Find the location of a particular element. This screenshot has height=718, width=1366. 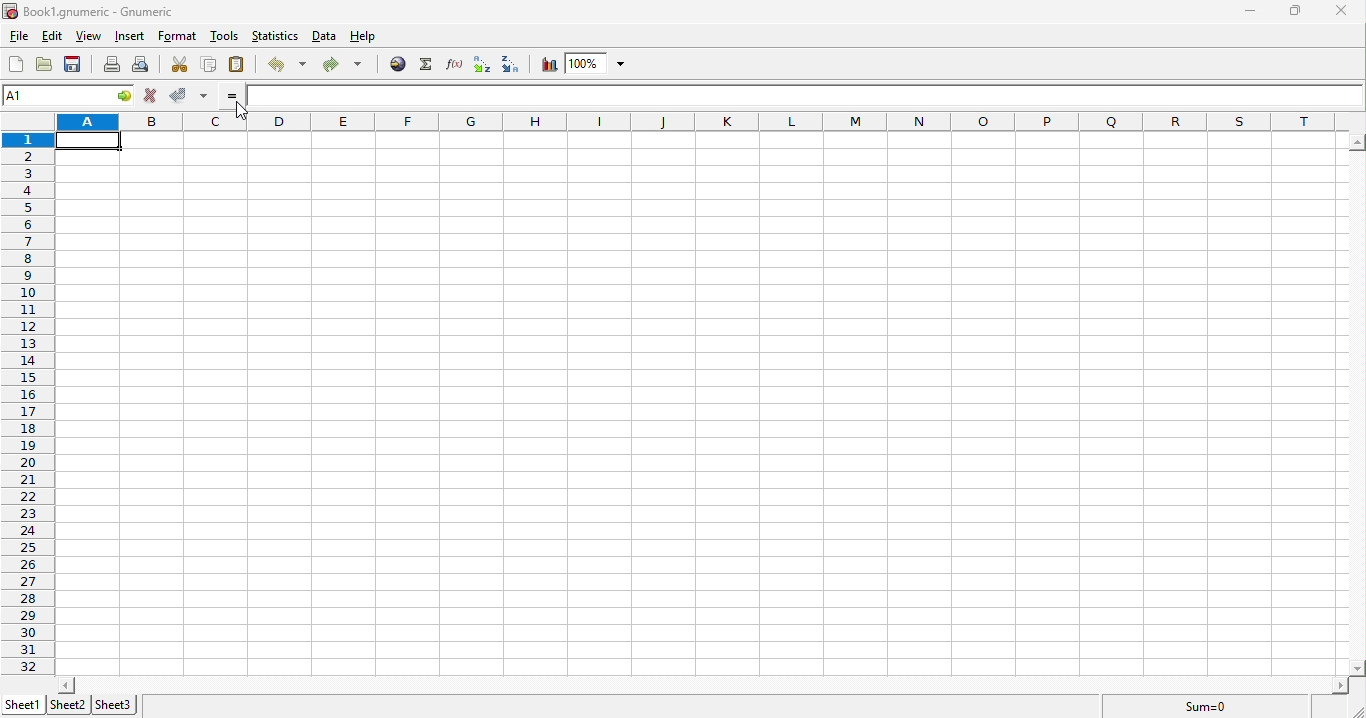

reject is located at coordinates (153, 96).